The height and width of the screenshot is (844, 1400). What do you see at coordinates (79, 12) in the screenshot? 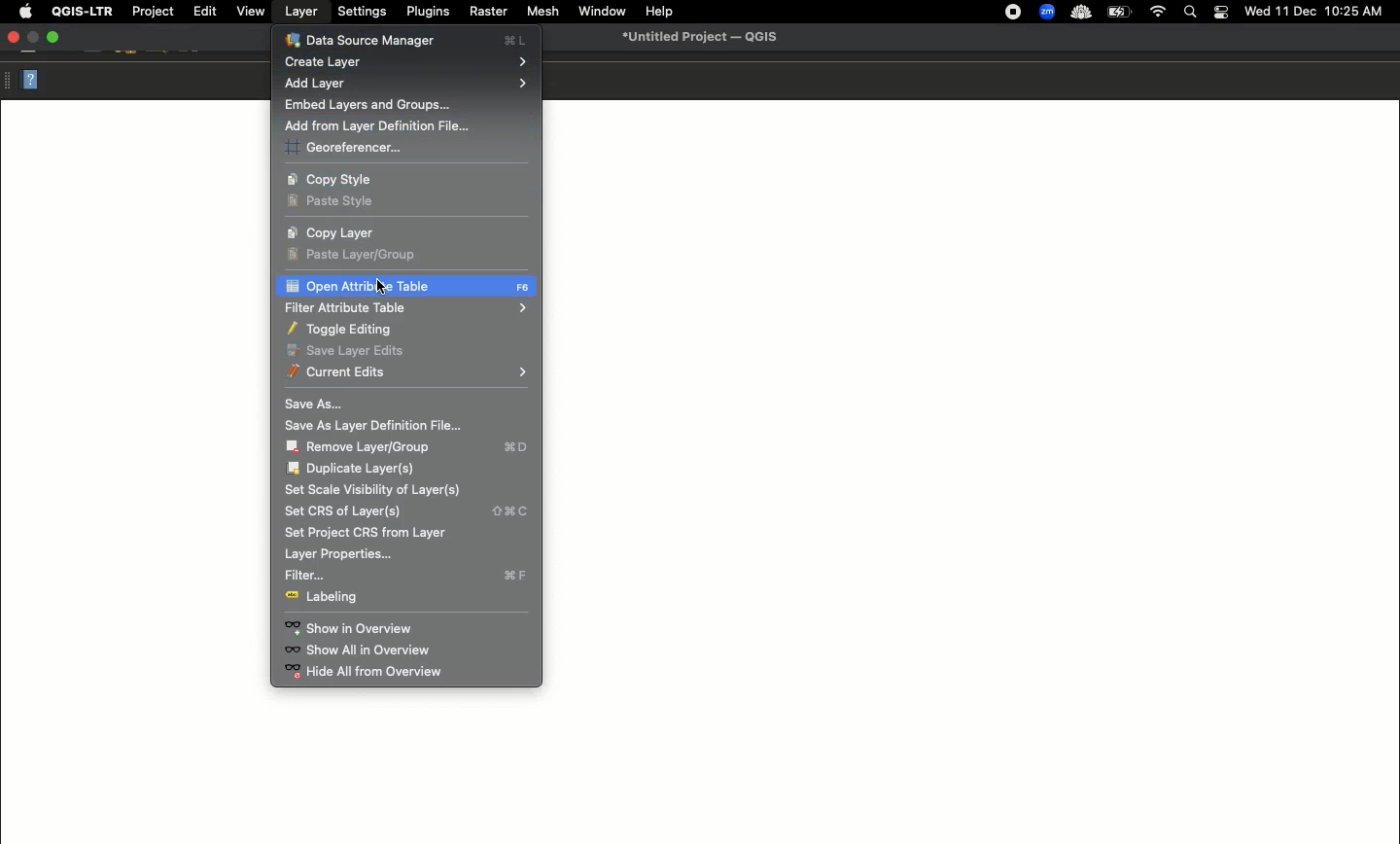
I see `QGIS-LTR` at bounding box center [79, 12].